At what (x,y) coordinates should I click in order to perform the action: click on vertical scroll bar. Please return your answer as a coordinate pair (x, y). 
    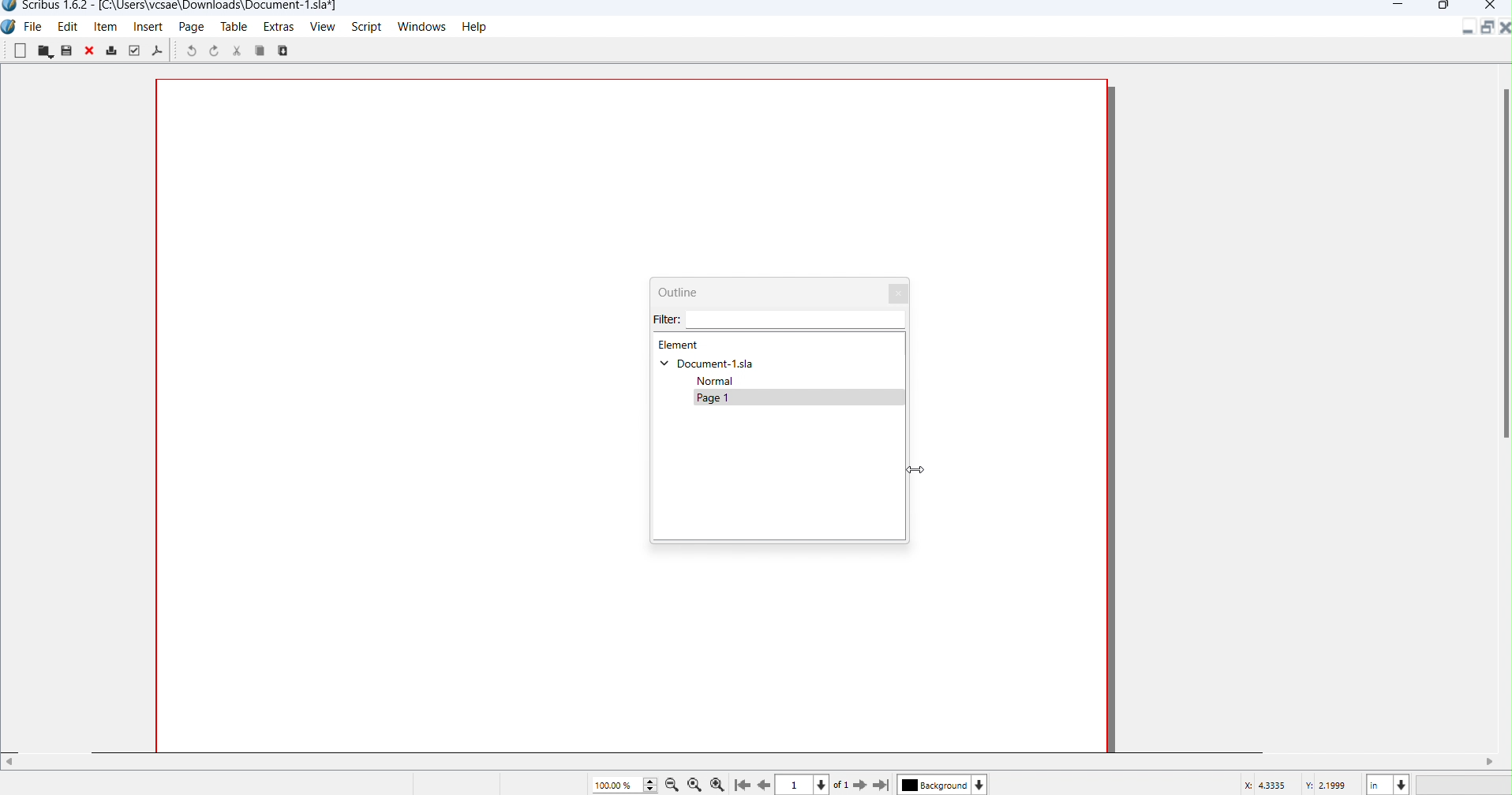
    Looking at the image, I should click on (1503, 255).